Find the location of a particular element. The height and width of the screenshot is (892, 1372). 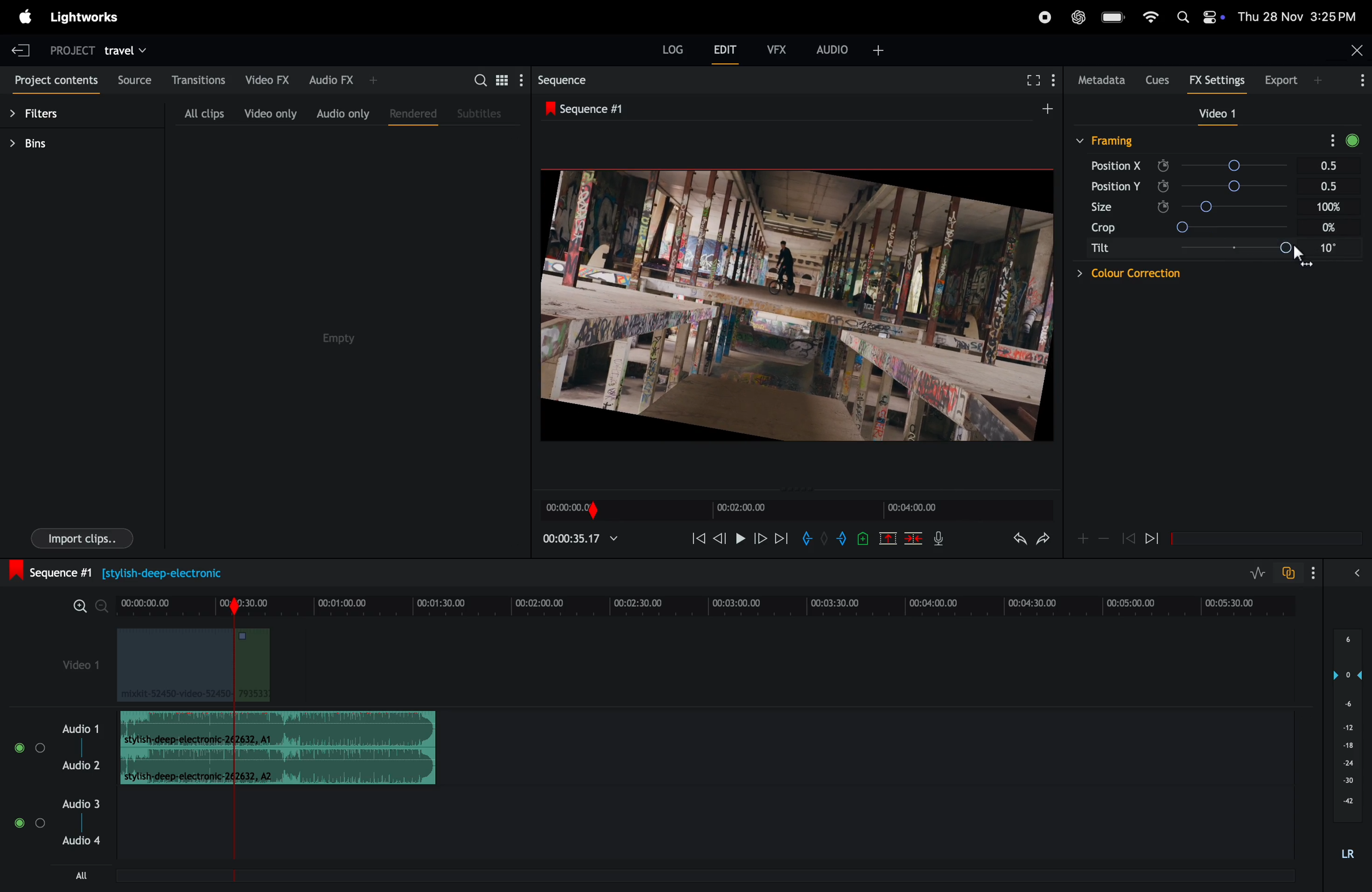

video clips information is located at coordinates (197, 668).